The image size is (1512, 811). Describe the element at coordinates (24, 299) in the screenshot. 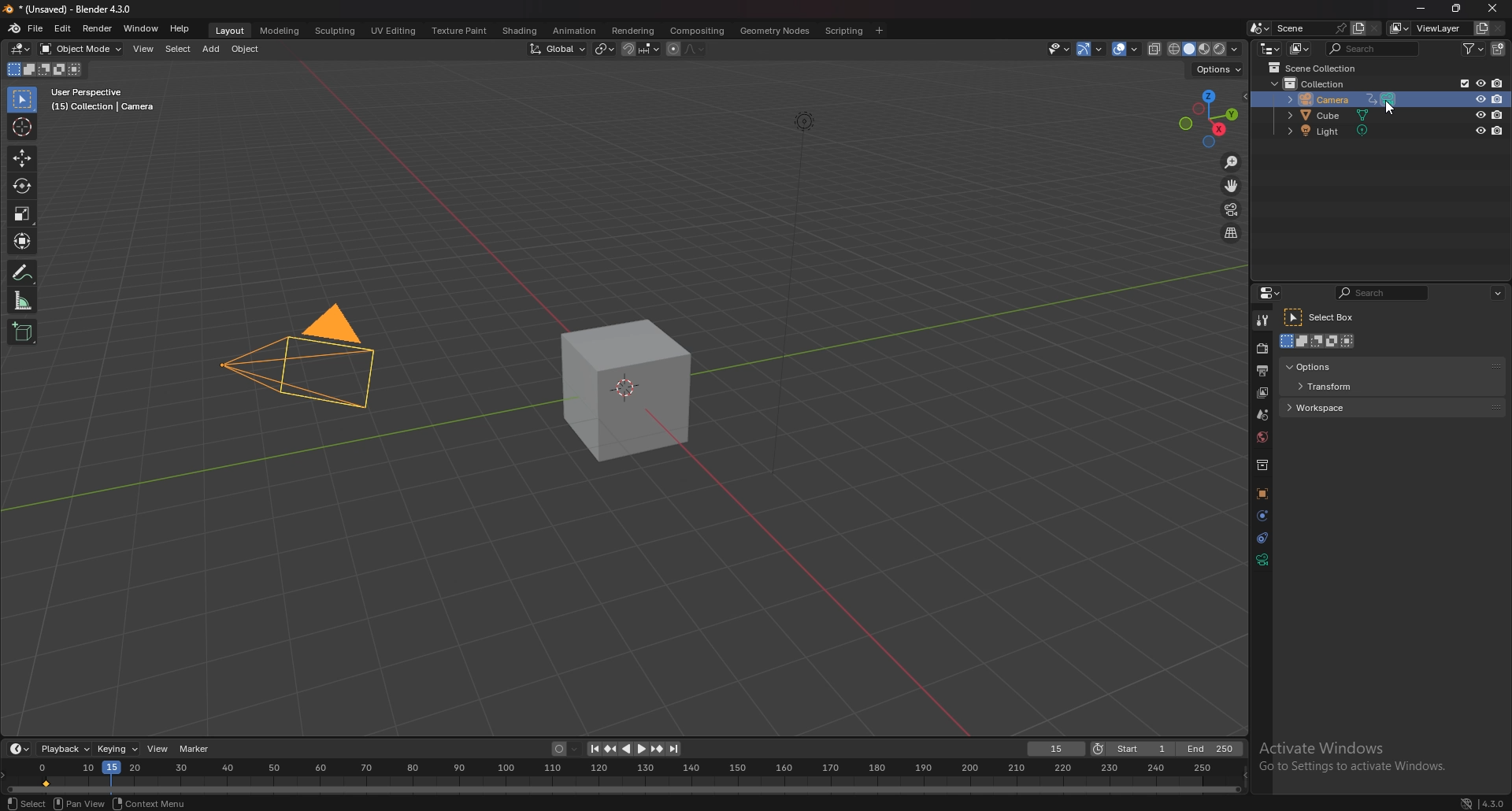

I see `measure` at that location.